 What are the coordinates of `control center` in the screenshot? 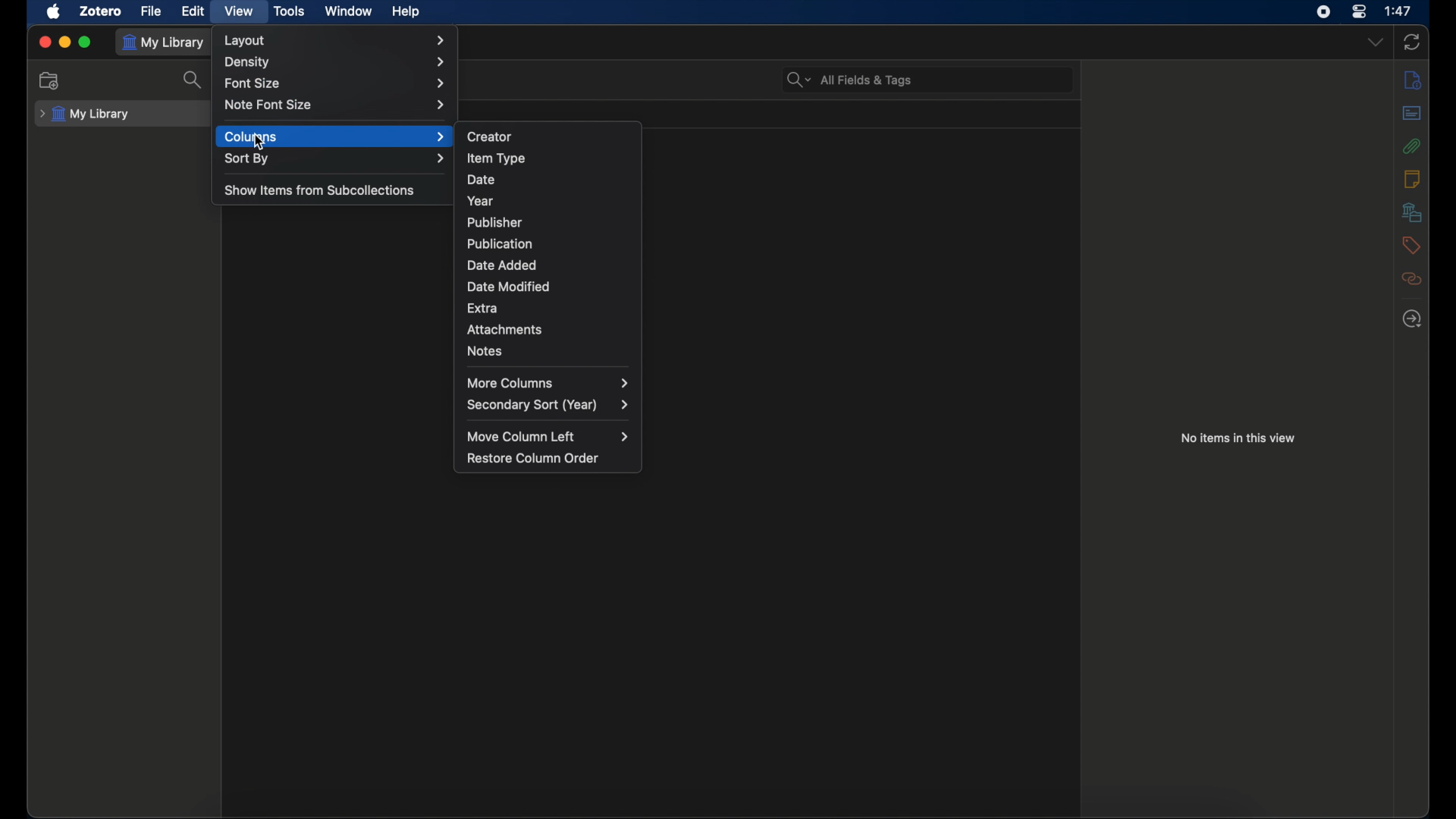 It's located at (1359, 11).